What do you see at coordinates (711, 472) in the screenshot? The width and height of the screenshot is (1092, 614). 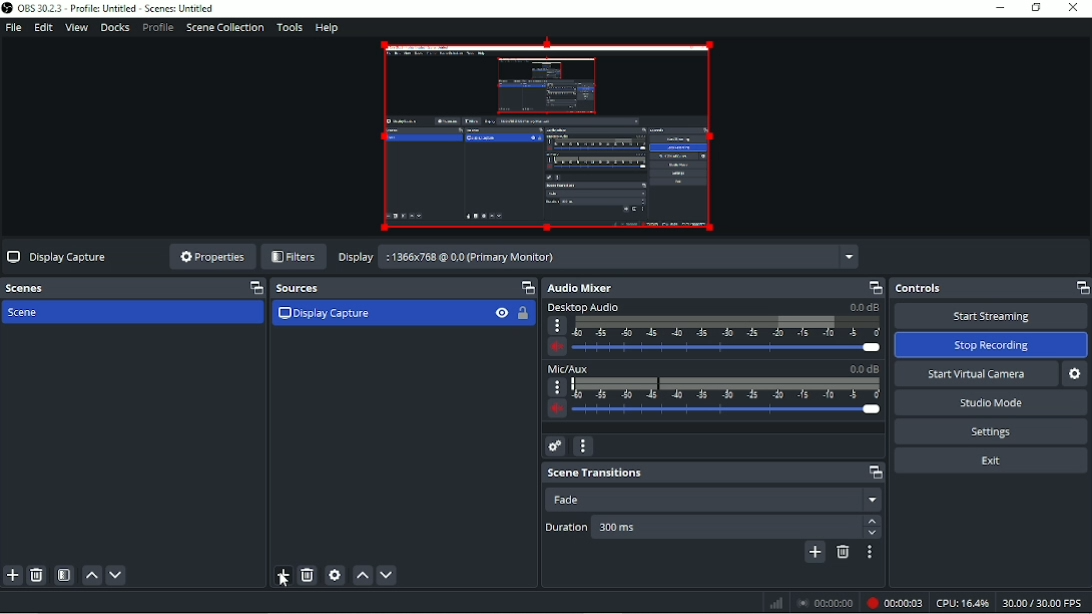 I see `Scene transitions` at bounding box center [711, 472].